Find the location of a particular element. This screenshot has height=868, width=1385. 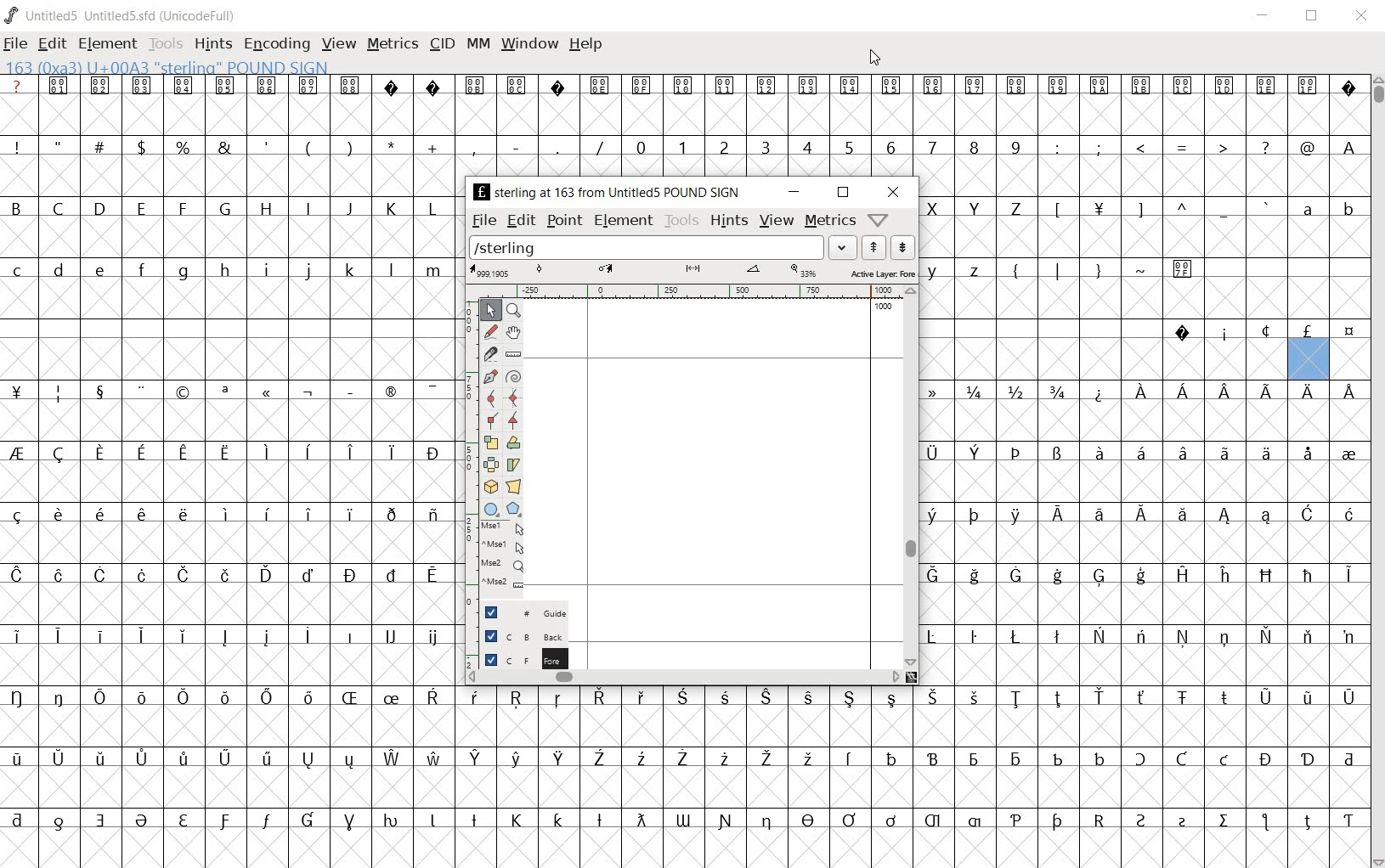

Symbol is located at coordinates (144, 822).